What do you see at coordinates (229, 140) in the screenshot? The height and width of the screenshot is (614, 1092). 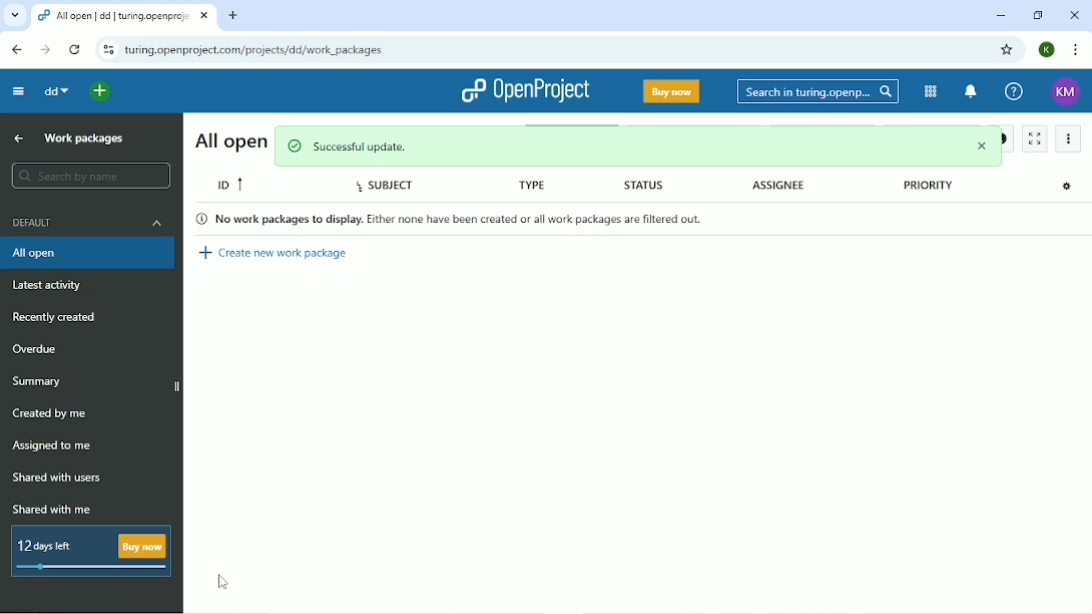 I see `All open` at bounding box center [229, 140].